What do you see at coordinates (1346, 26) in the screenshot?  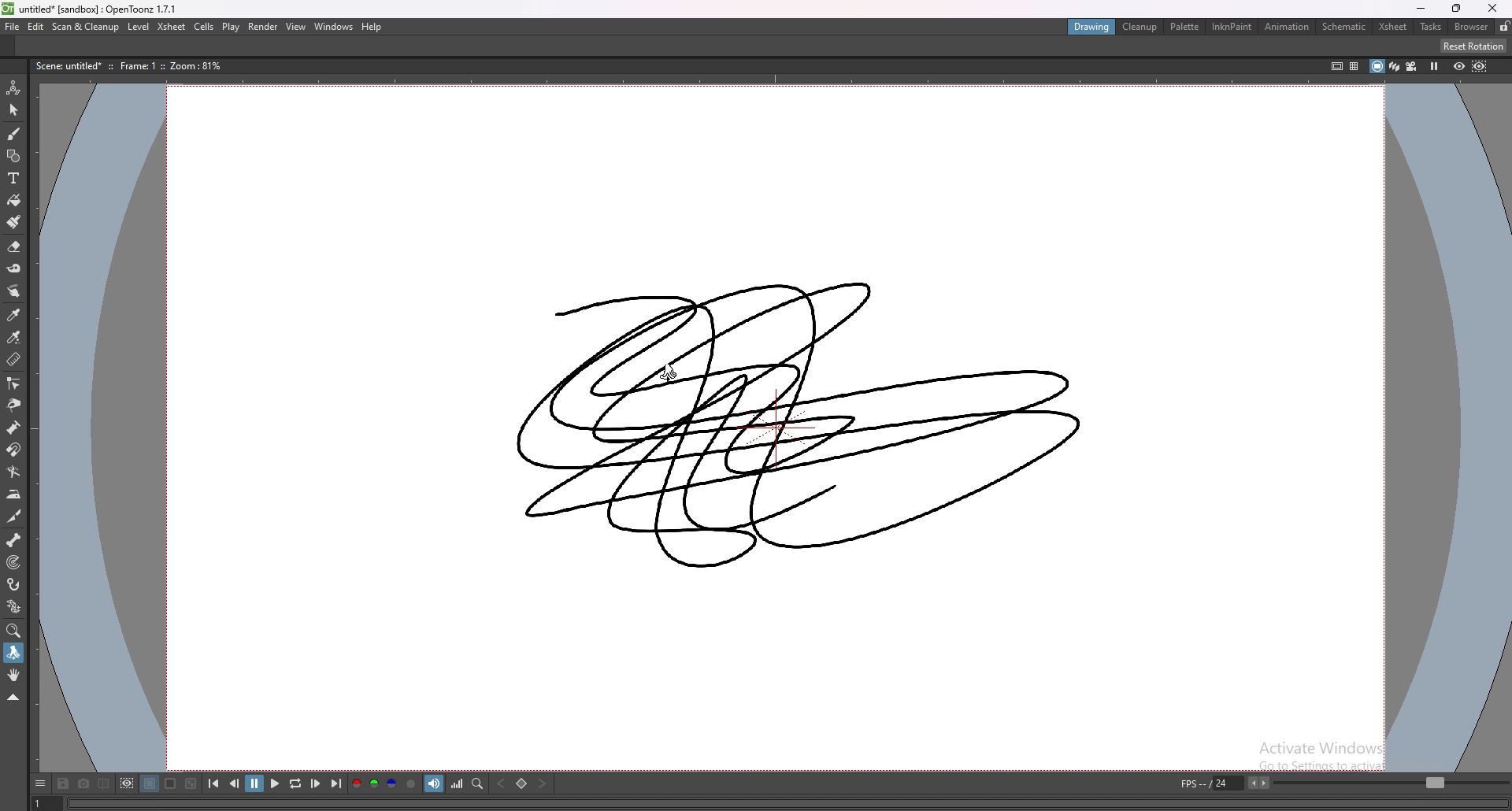 I see `schematic` at bounding box center [1346, 26].